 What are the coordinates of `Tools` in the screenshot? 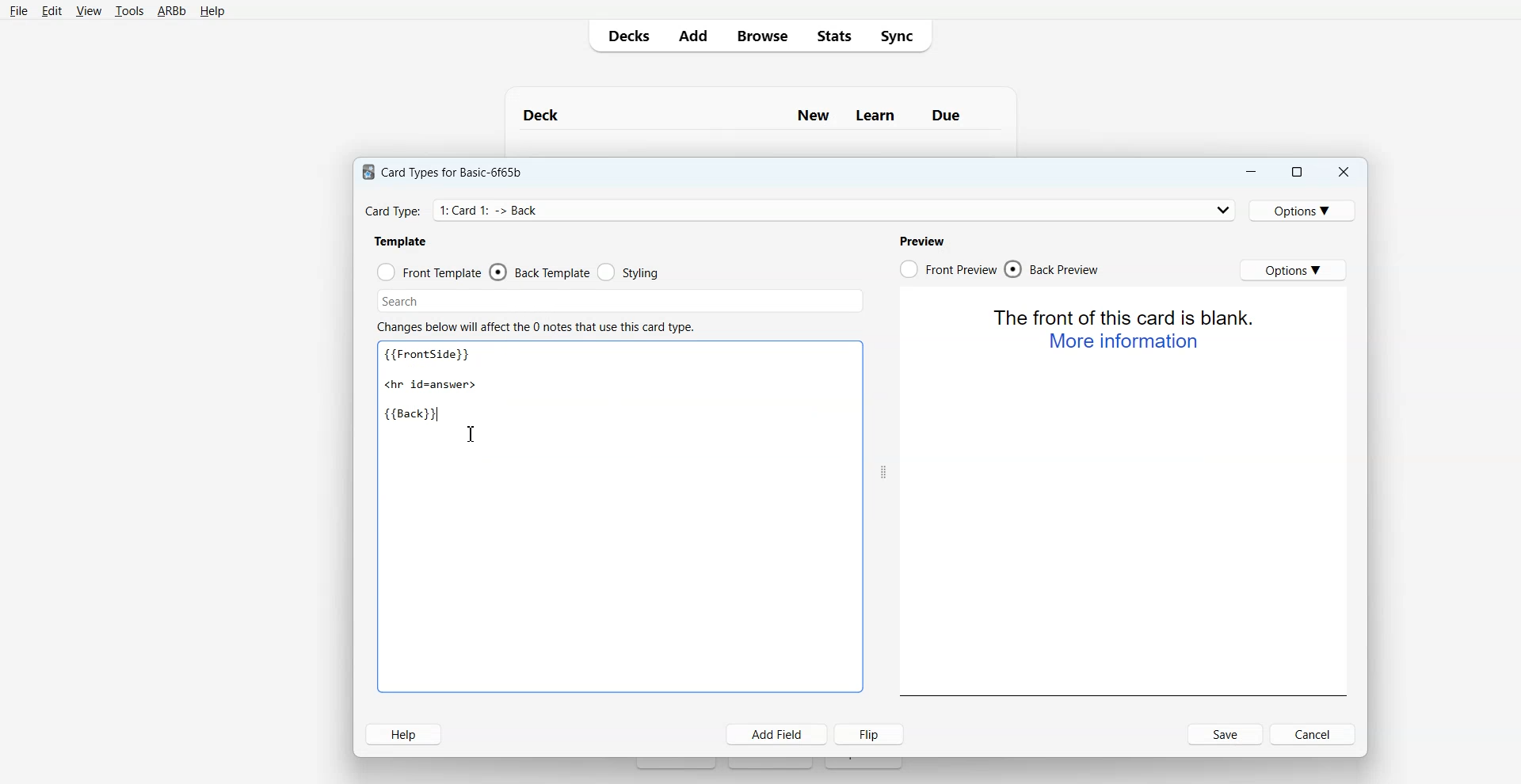 It's located at (129, 11).